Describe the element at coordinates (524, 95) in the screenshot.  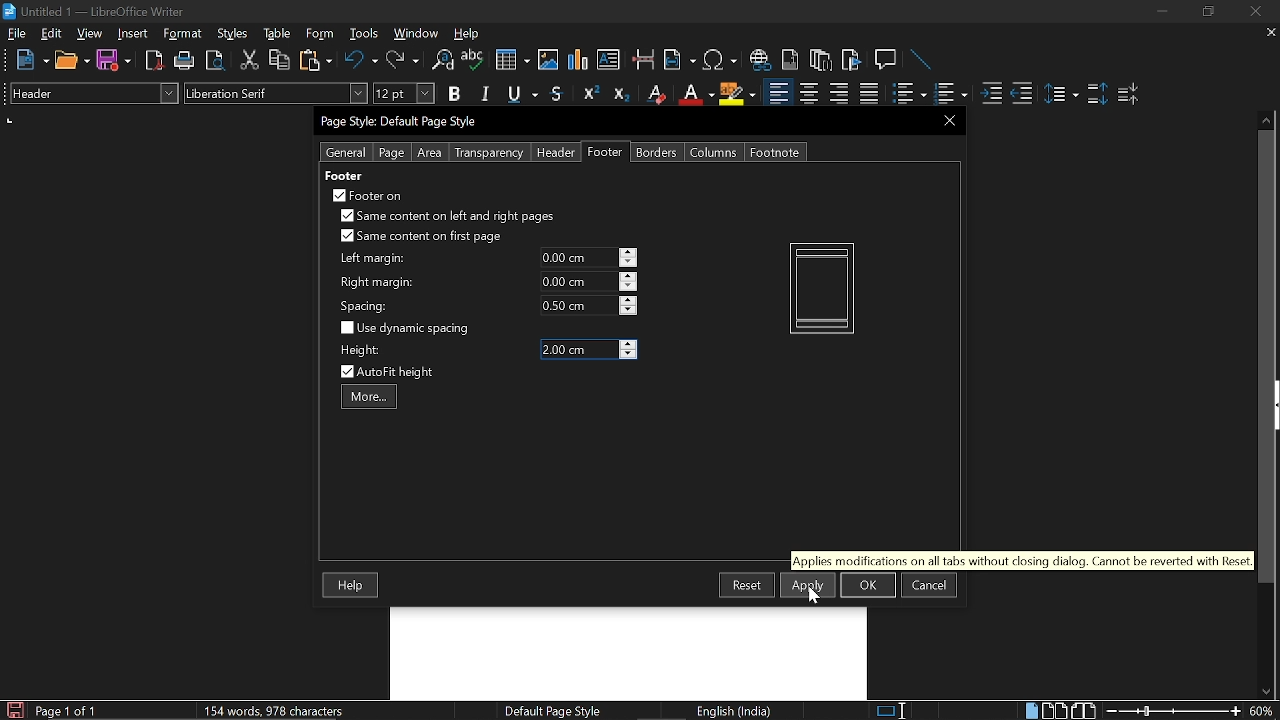
I see `Underline` at that location.